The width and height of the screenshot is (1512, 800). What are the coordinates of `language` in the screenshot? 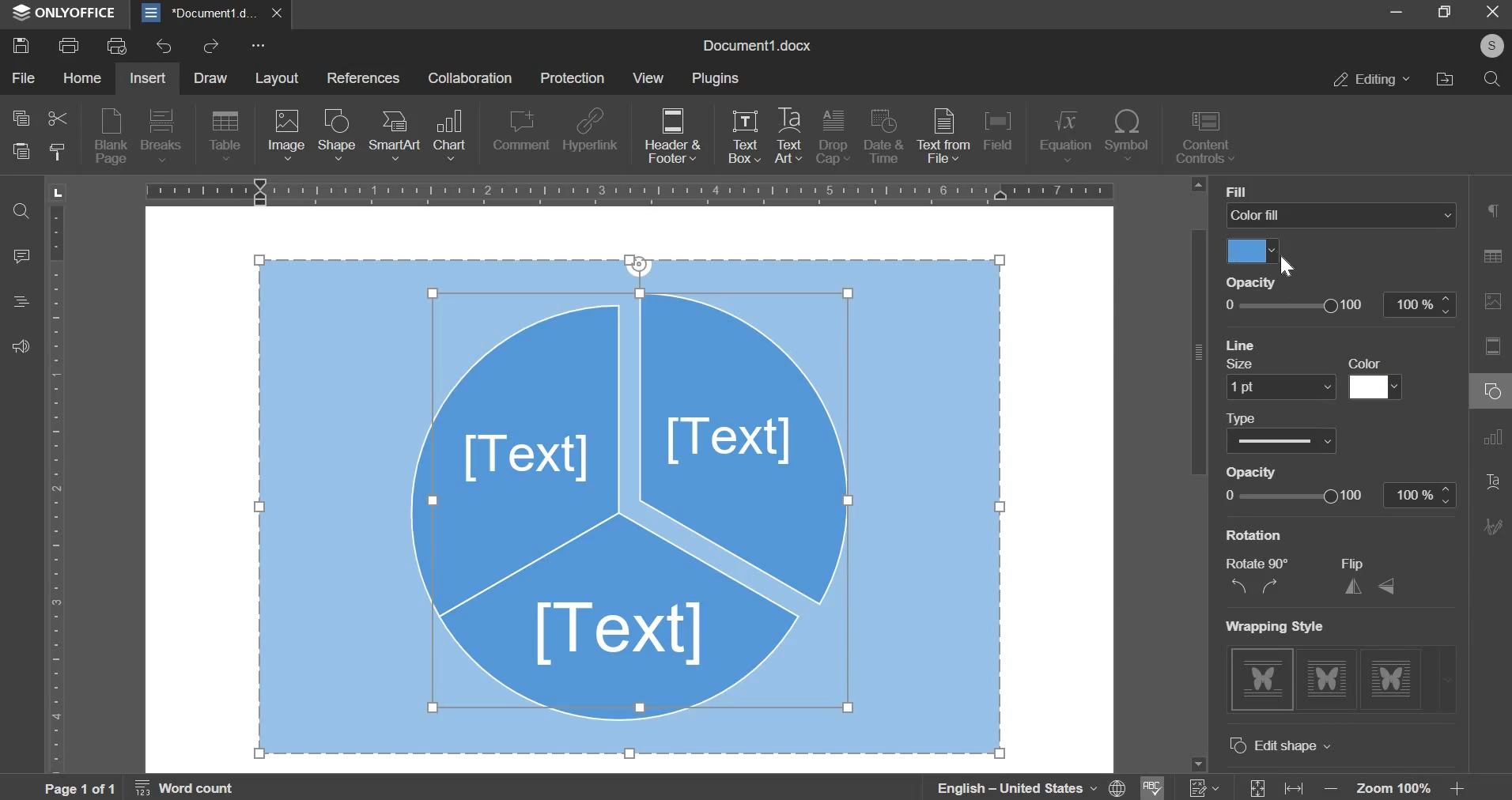 It's located at (1018, 787).